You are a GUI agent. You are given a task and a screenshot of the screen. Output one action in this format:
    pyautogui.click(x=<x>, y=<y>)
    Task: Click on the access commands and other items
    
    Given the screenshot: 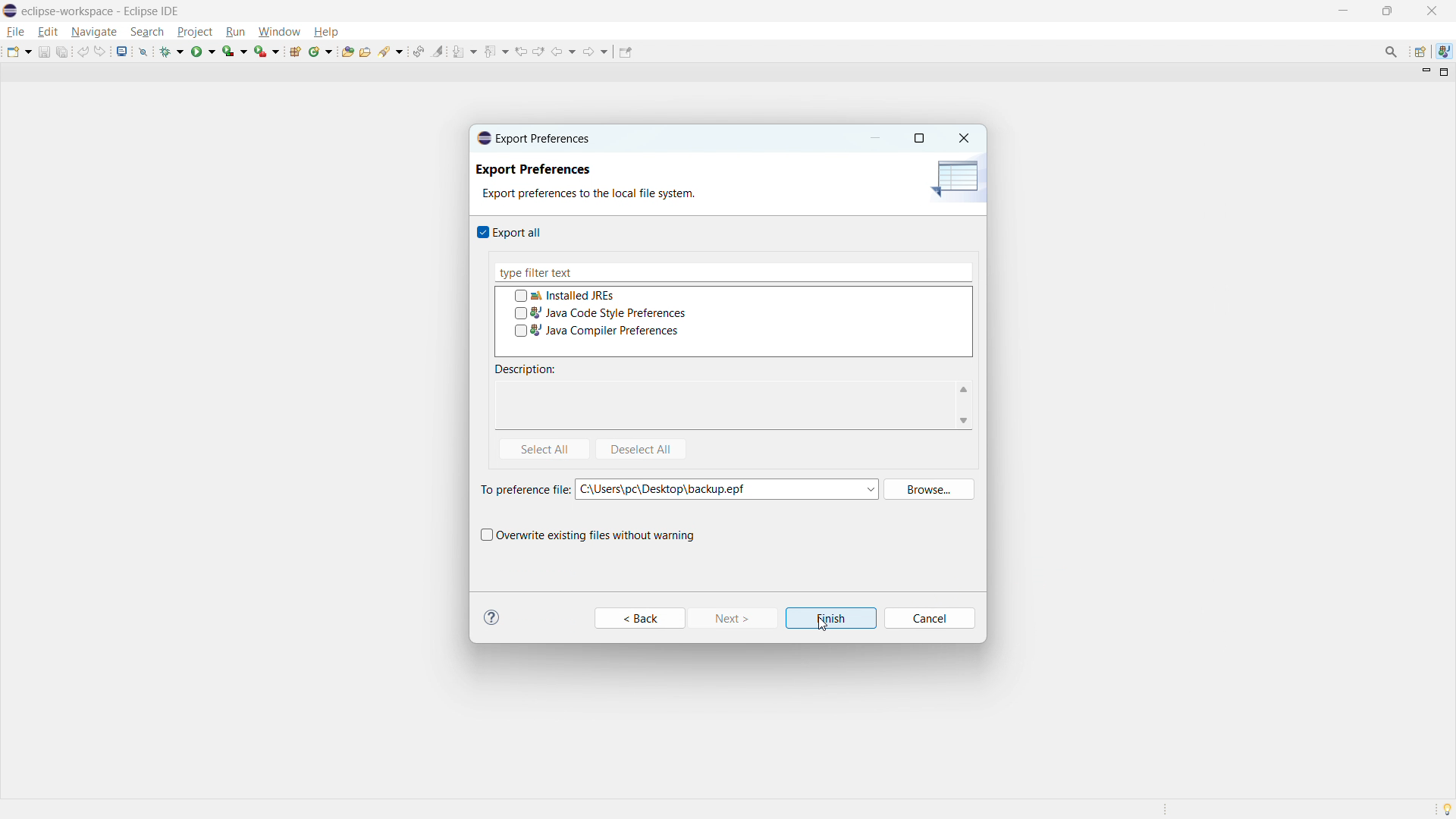 What is the action you would take?
    pyautogui.click(x=1392, y=51)
    